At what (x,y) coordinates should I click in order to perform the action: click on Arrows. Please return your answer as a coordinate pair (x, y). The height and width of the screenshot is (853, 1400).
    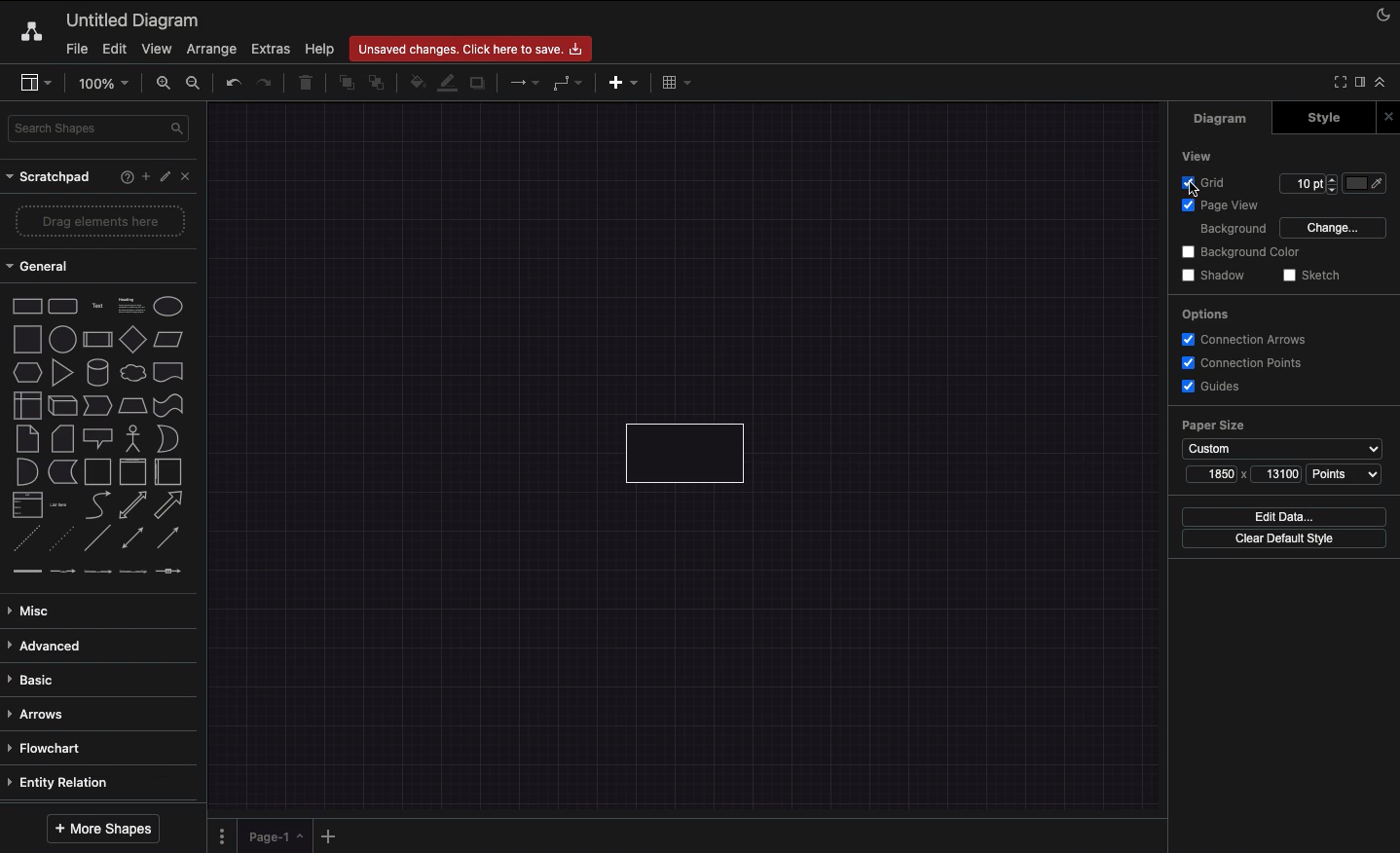
    Looking at the image, I should click on (48, 716).